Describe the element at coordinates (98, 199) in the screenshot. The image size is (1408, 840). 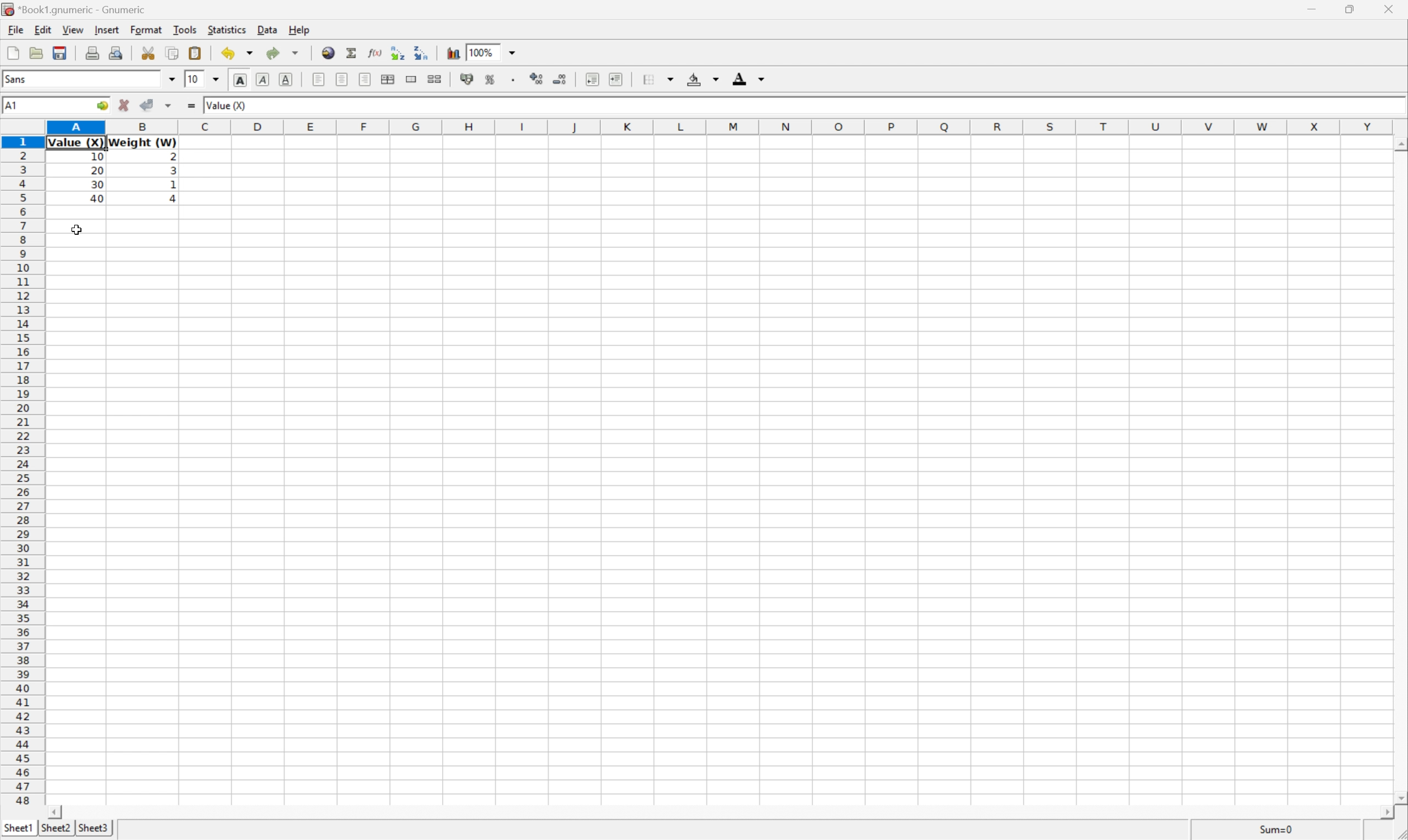
I see `40` at that location.